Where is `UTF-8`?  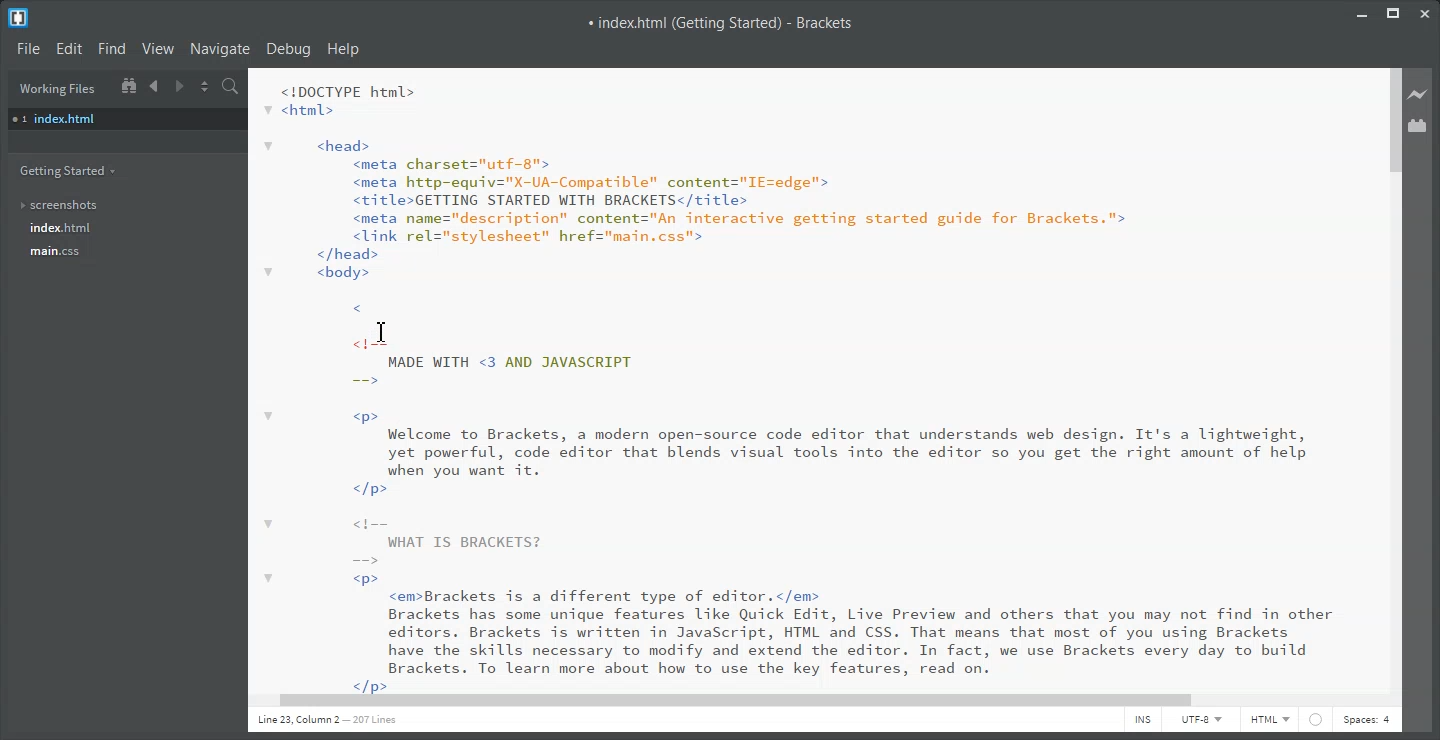 UTF-8 is located at coordinates (1203, 721).